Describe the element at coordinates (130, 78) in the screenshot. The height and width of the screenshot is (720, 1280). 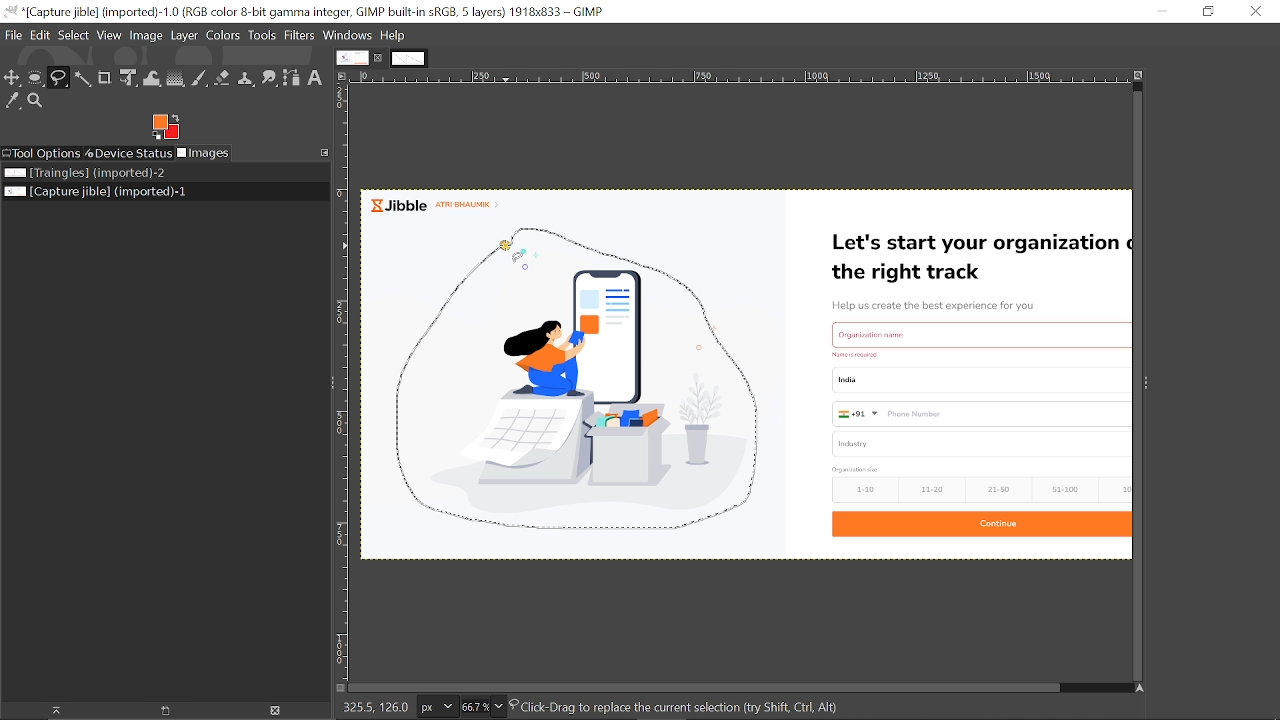
I see `Unified transform tool` at that location.